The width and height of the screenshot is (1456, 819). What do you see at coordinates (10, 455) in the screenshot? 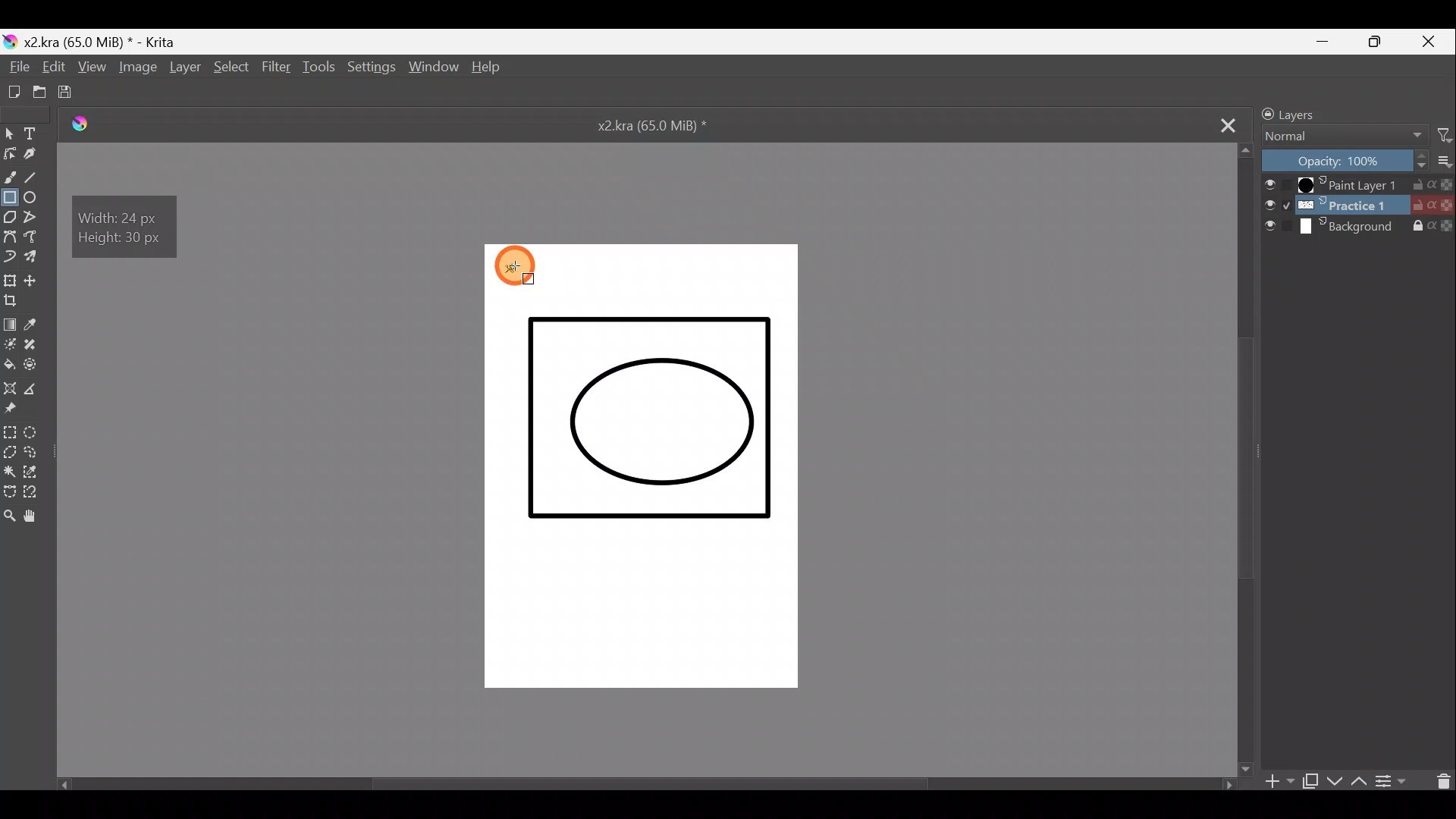
I see `Polygonal selection tool` at bounding box center [10, 455].